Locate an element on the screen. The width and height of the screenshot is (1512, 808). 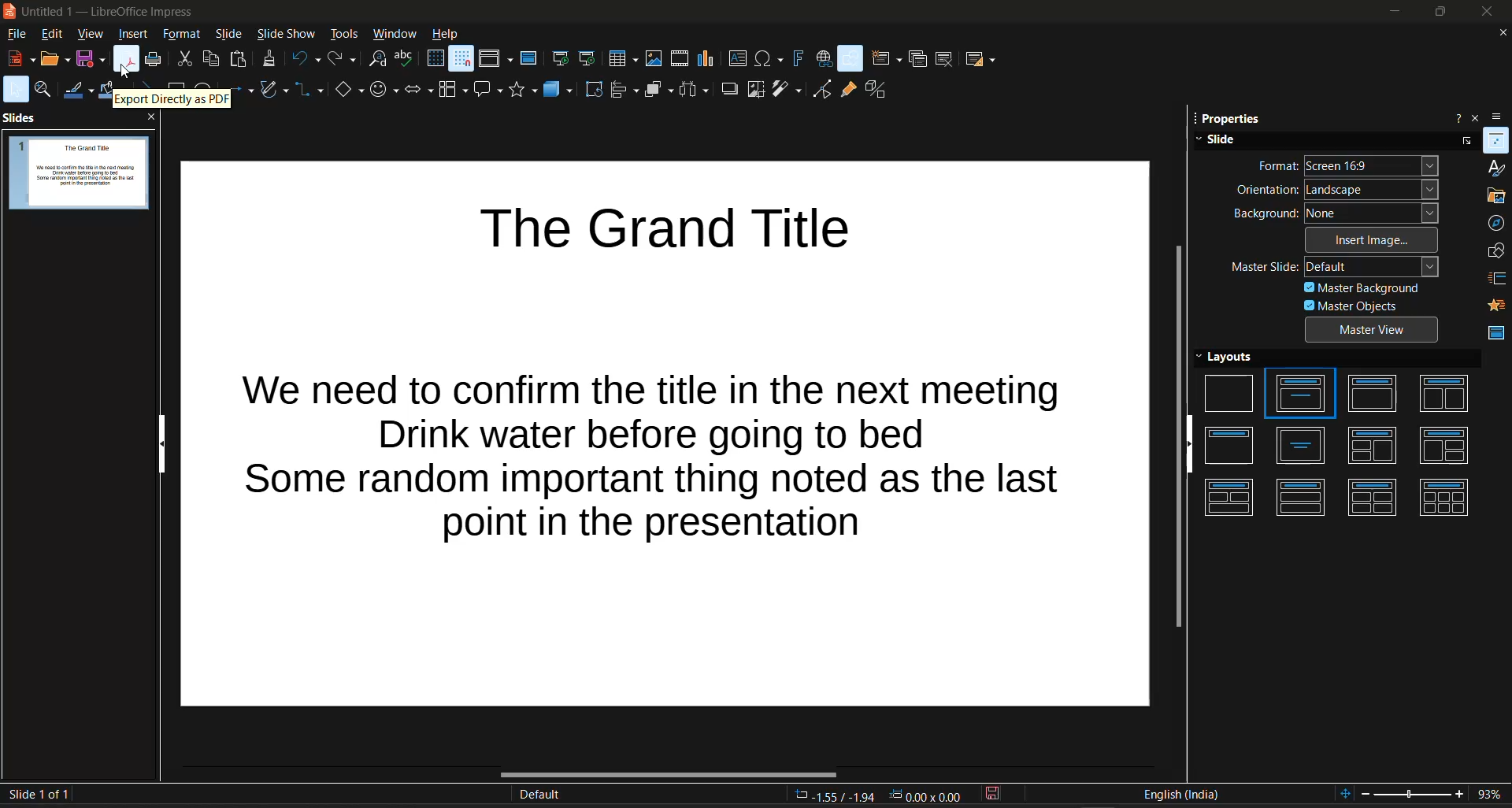
shadow is located at coordinates (732, 90).